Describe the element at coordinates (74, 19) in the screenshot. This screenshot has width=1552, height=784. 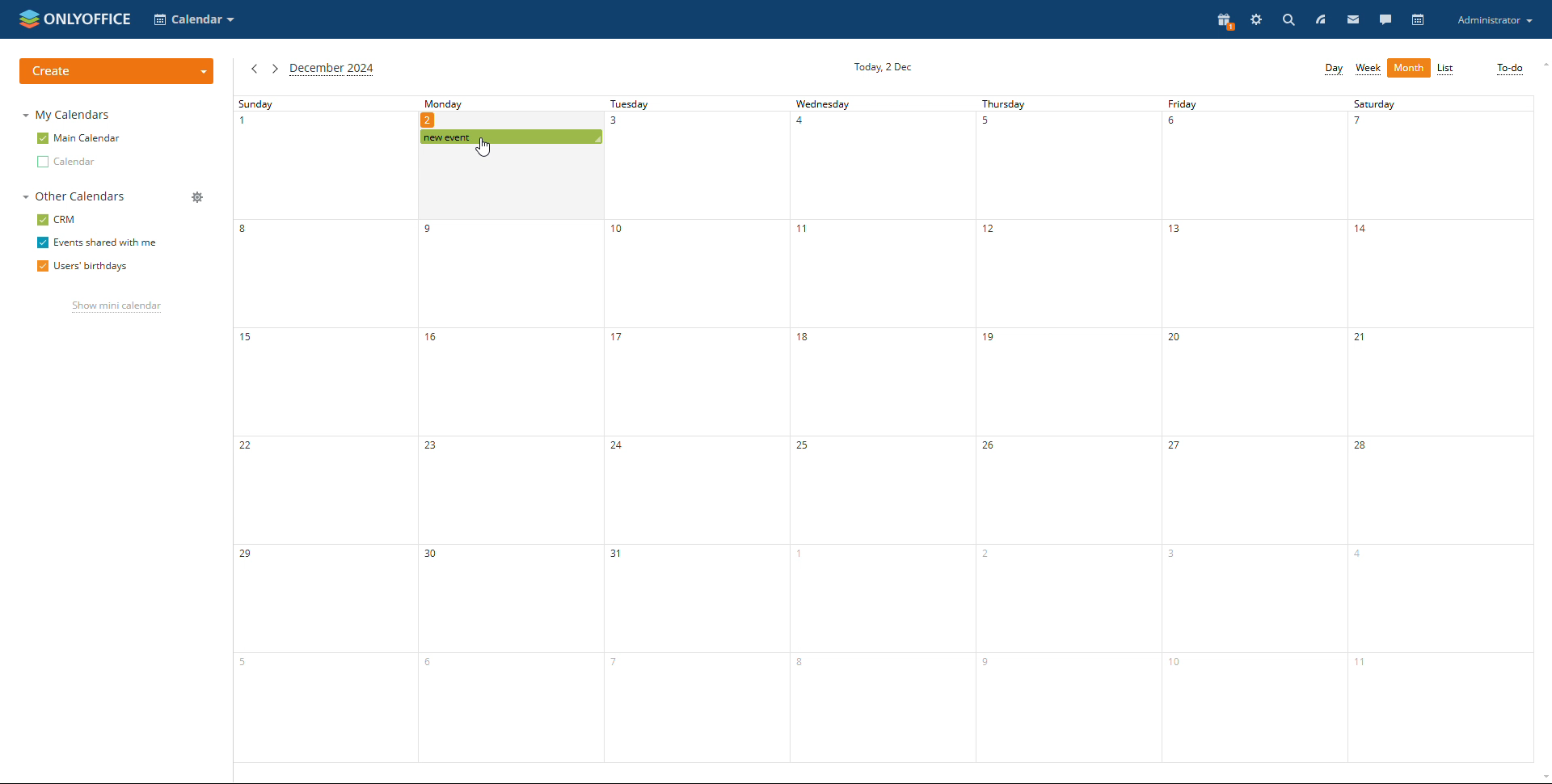
I see `logo` at that location.